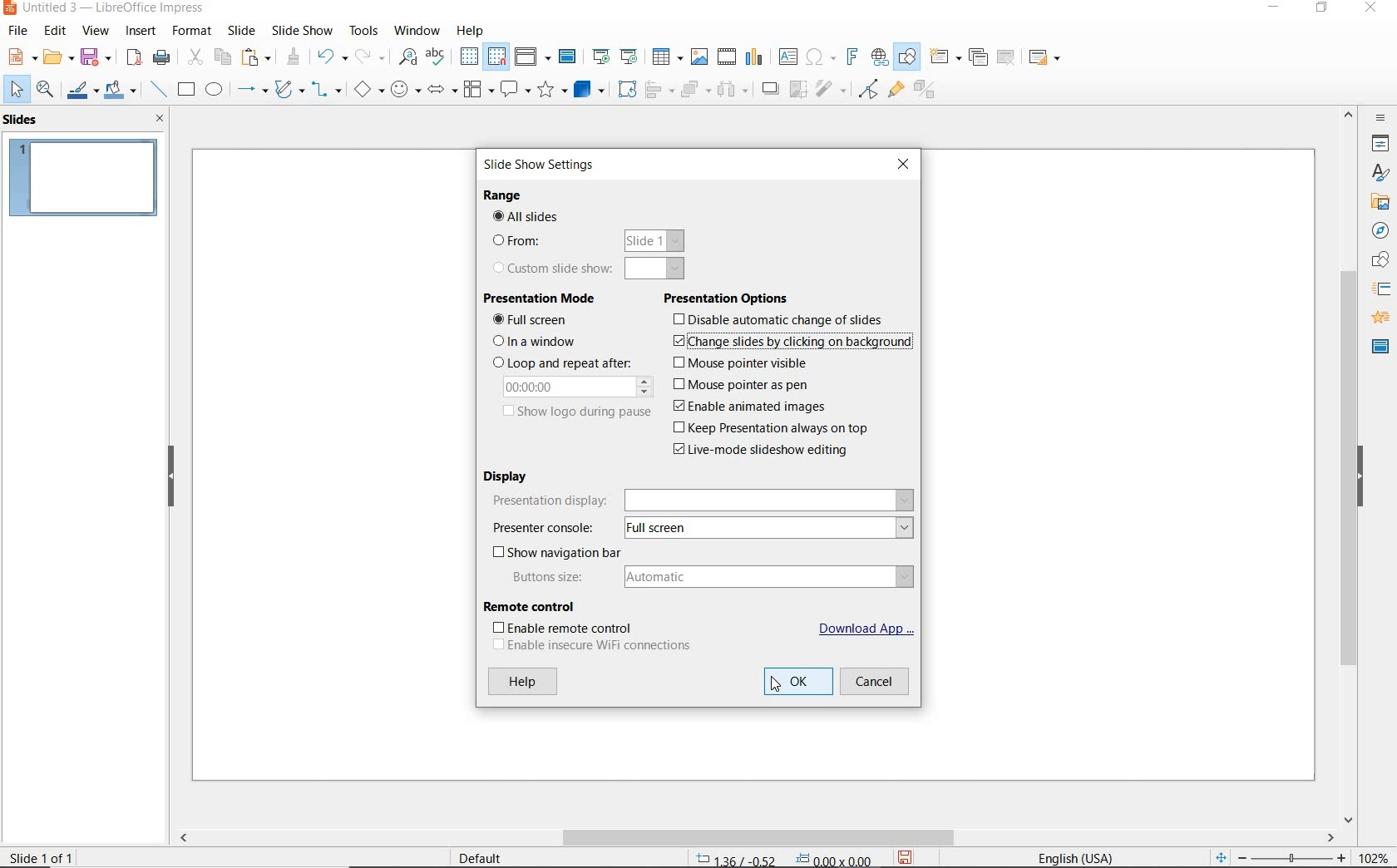  Describe the element at coordinates (1005, 57) in the screenshot. I see `DELETE SLIDE` at that location.